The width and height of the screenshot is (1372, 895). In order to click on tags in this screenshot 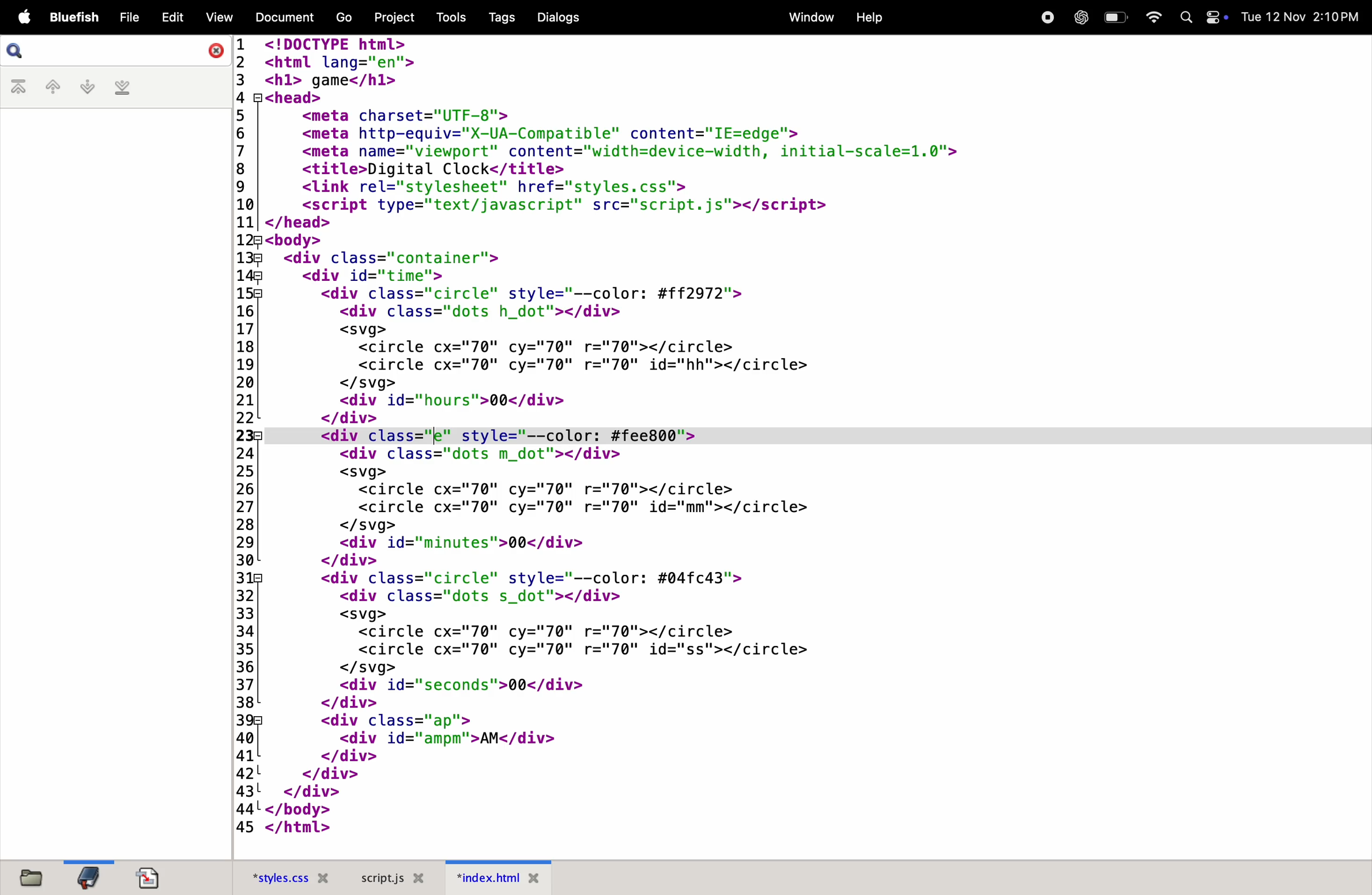, I will do `click(500, 16)`.